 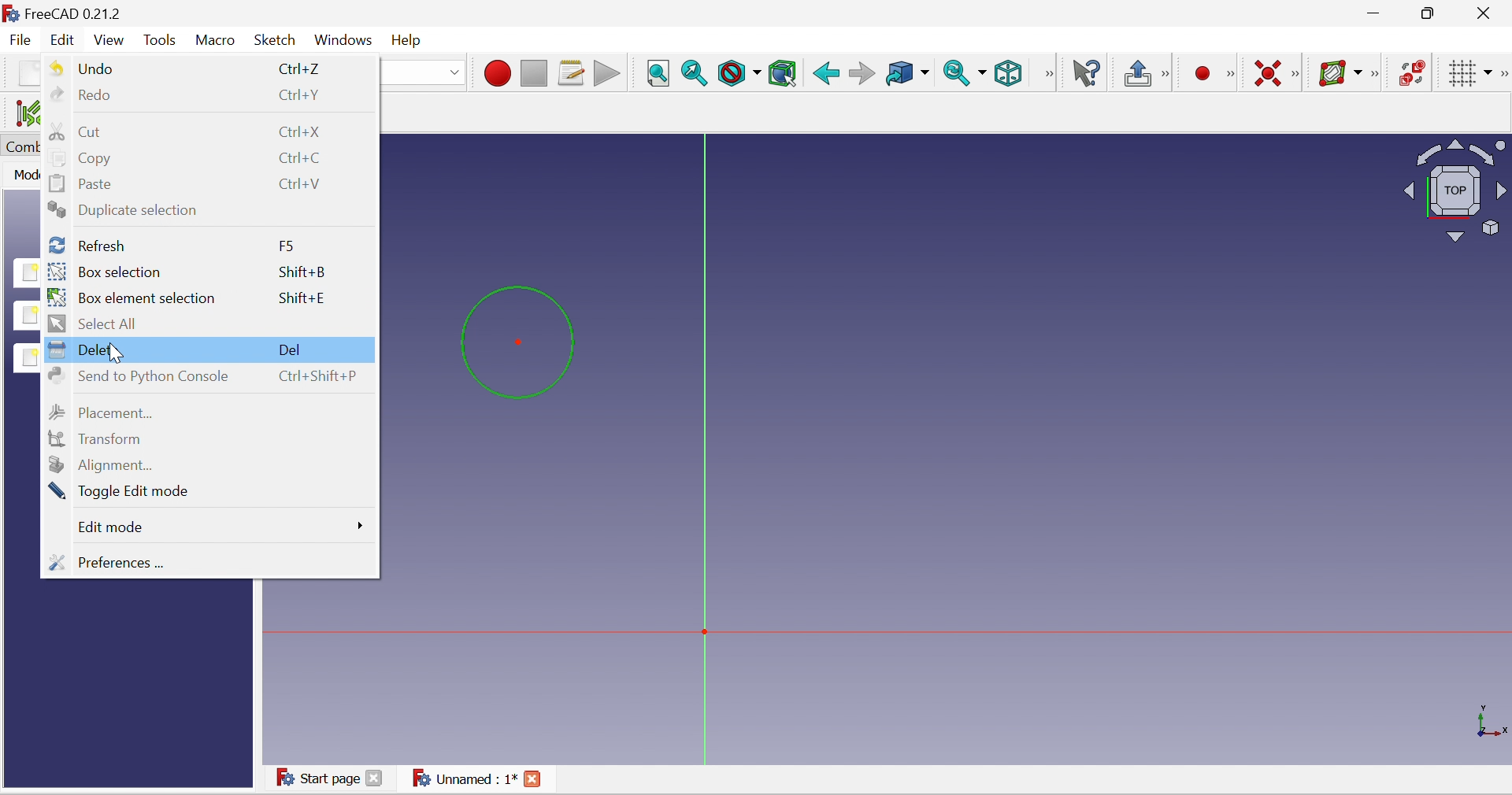 I want to click on Toggle Edit mode, so click(x=121, y=491).